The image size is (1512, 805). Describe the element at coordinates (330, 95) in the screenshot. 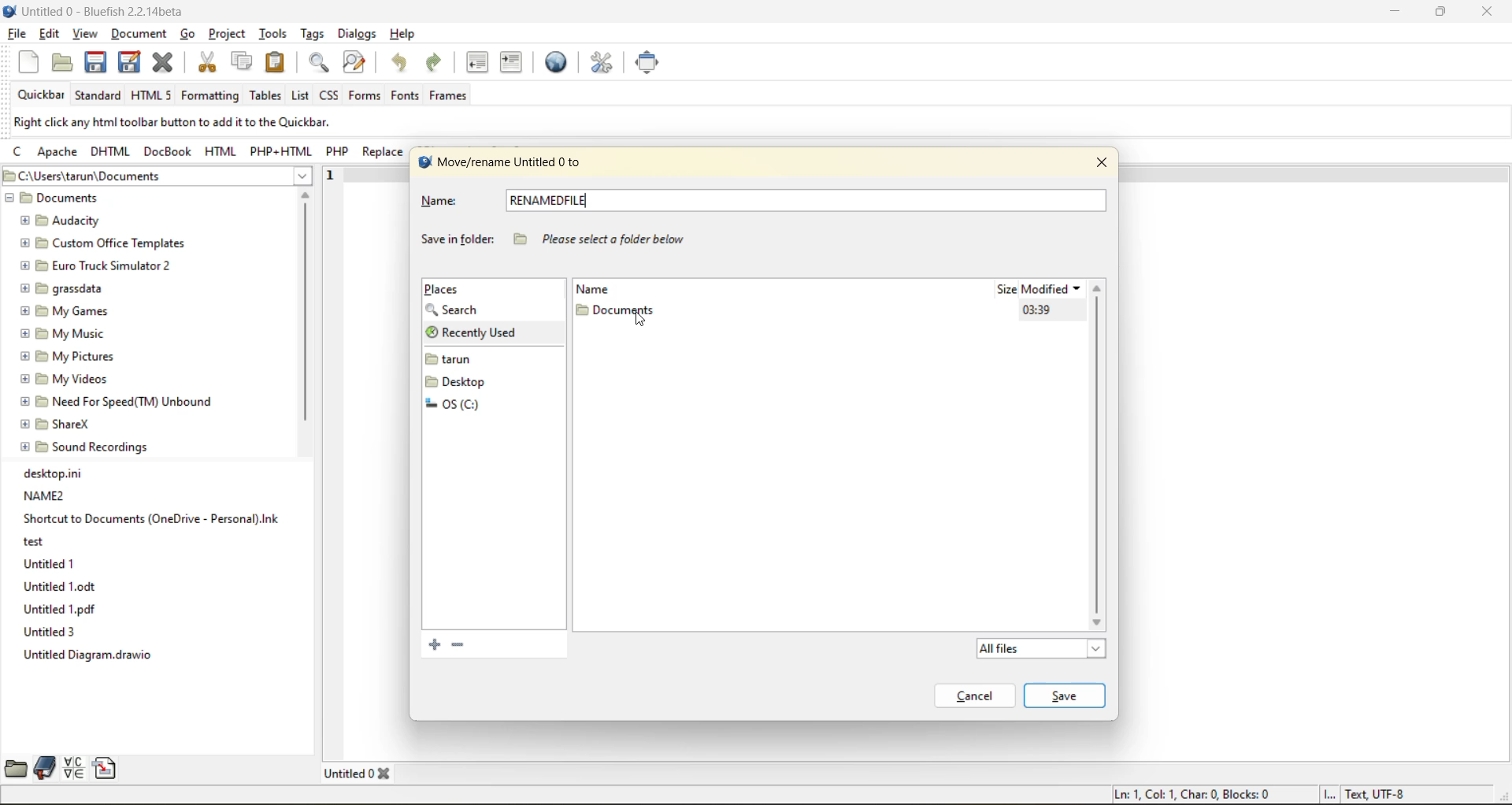

I see `css` at that location.